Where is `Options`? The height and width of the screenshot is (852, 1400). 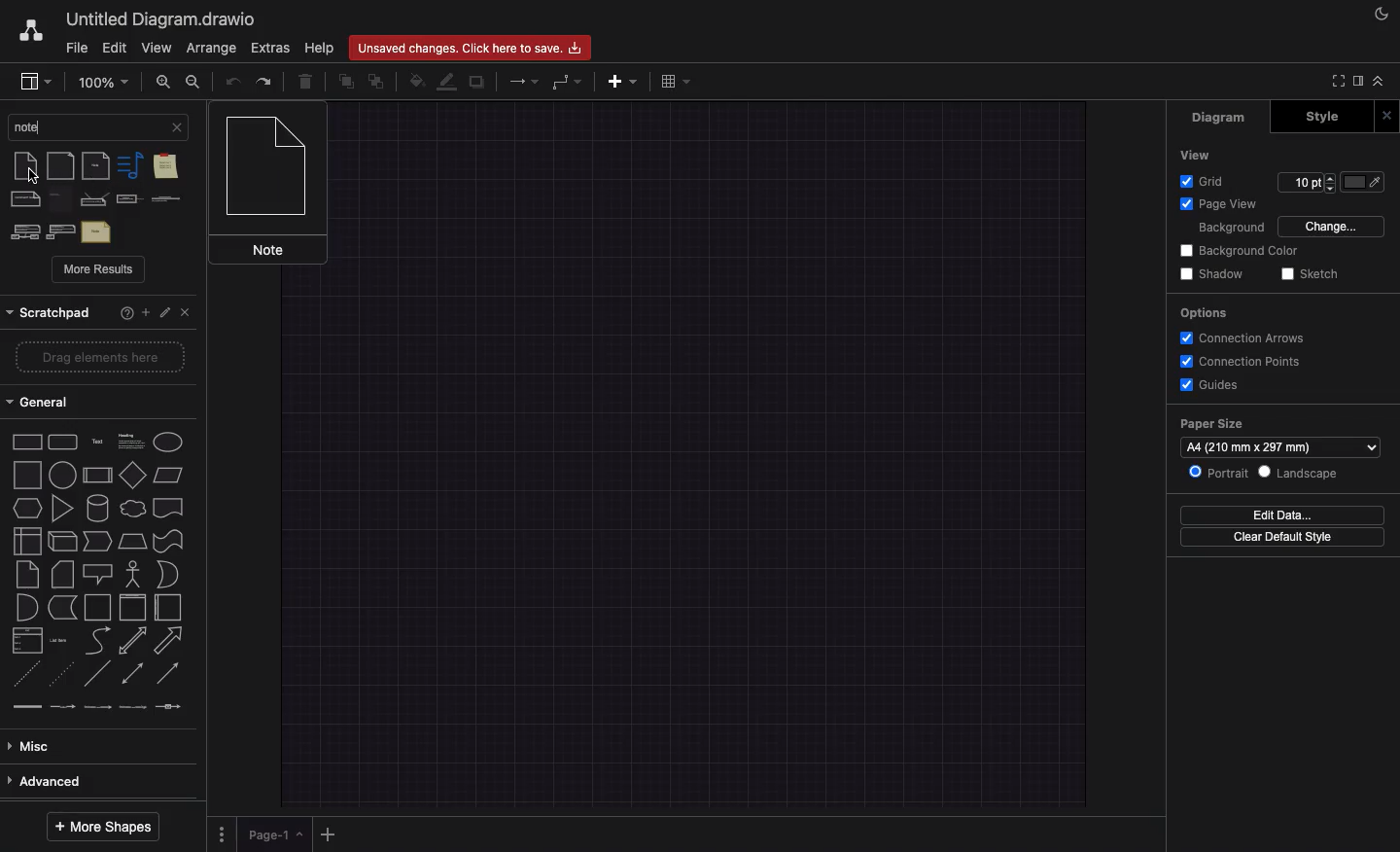 Options is located at coordinates (222, 835).